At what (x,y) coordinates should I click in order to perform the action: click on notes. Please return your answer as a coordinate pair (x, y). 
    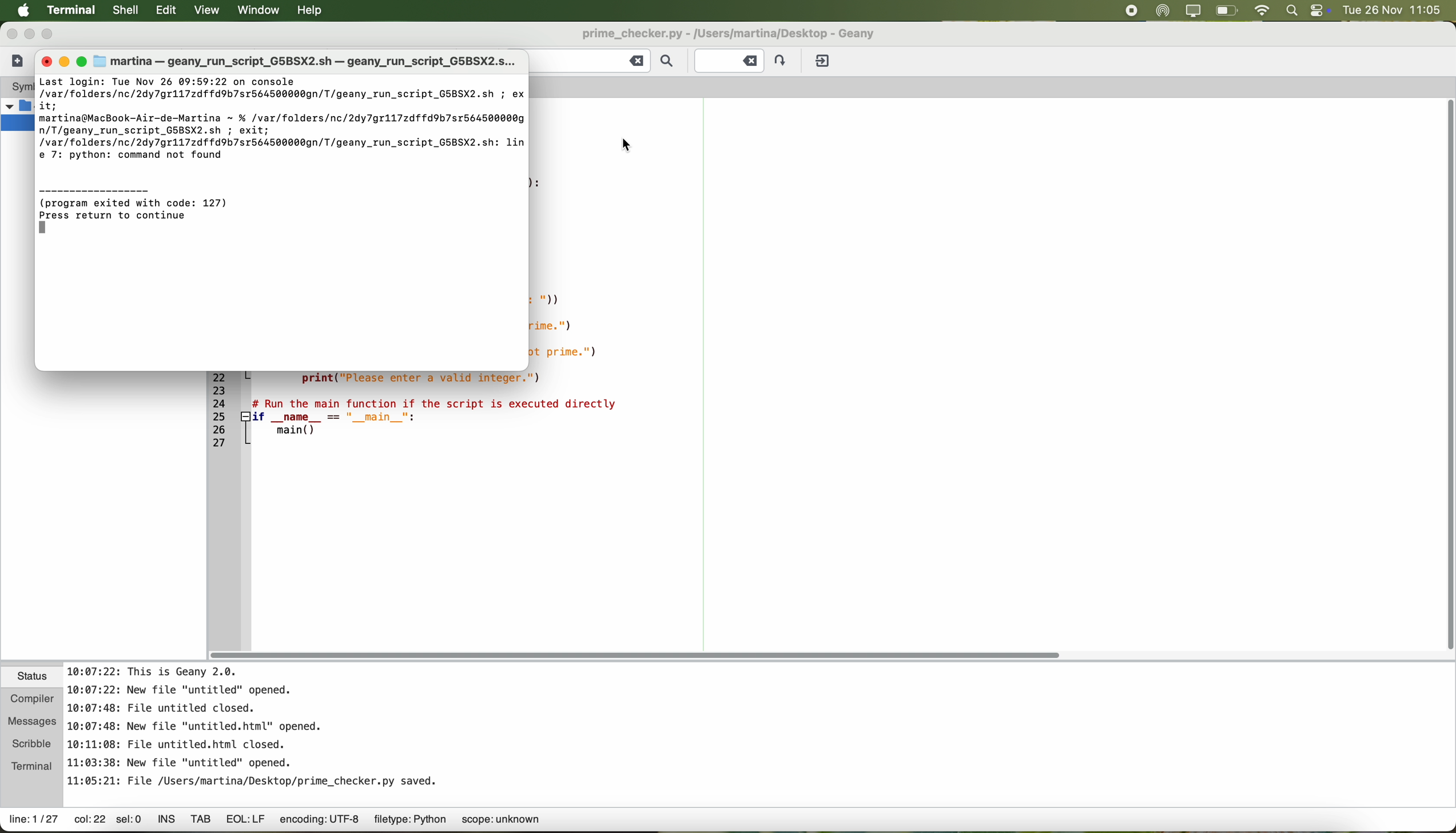
    Looking at the image, I should click on (254, 724).